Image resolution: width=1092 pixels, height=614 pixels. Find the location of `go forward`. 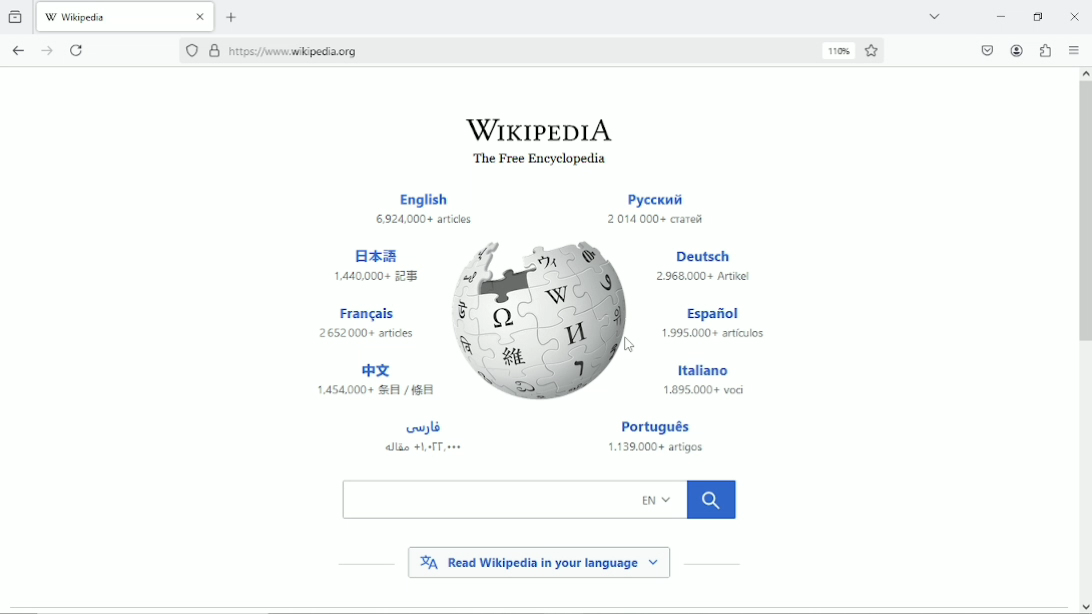

go forward is located at coordinates (48, 50).